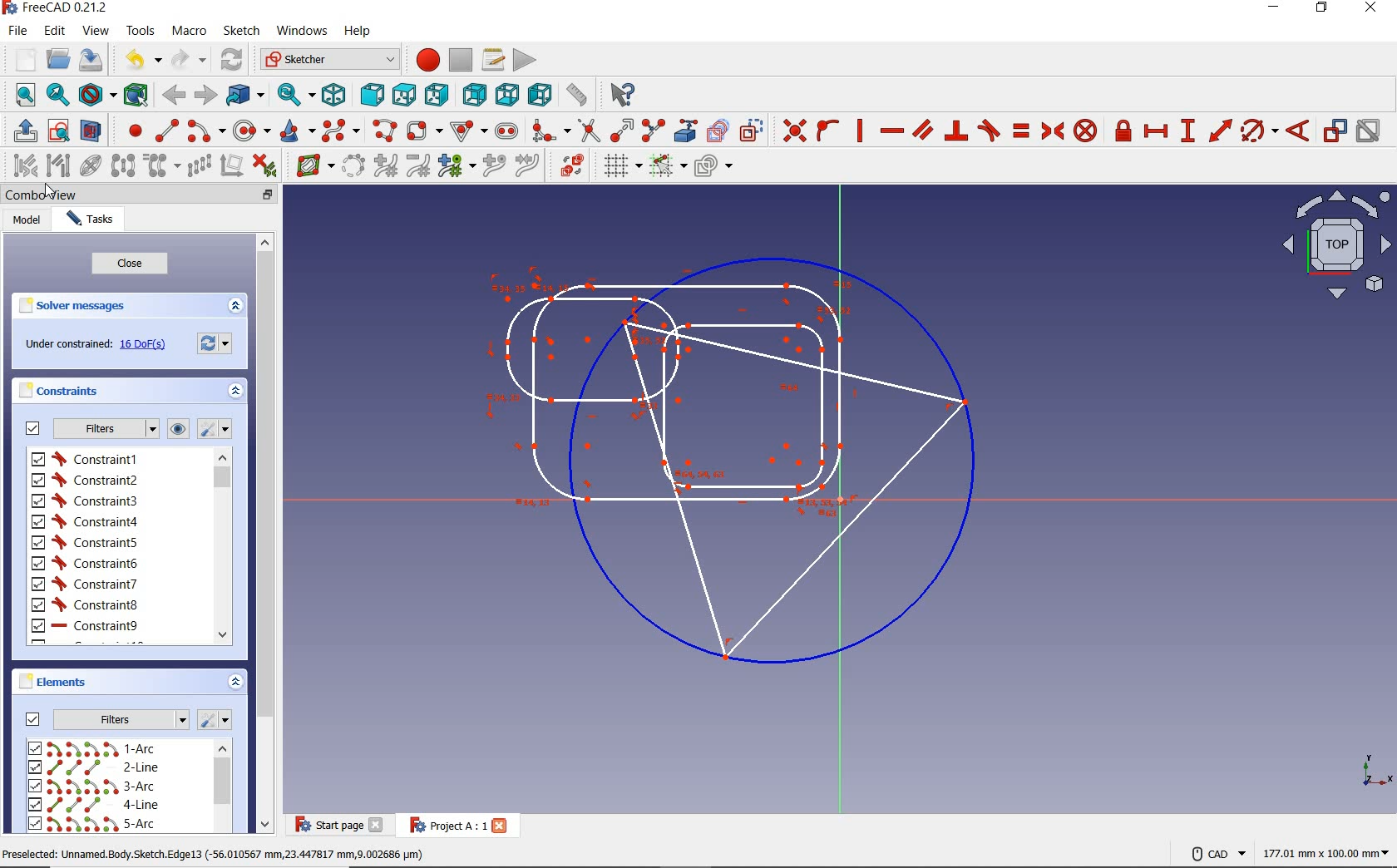 The height and width of the screenshot is (868, 1397). Describe the element at coordinates (84, 626) in the screenshot. I see `constraint9` at that location.